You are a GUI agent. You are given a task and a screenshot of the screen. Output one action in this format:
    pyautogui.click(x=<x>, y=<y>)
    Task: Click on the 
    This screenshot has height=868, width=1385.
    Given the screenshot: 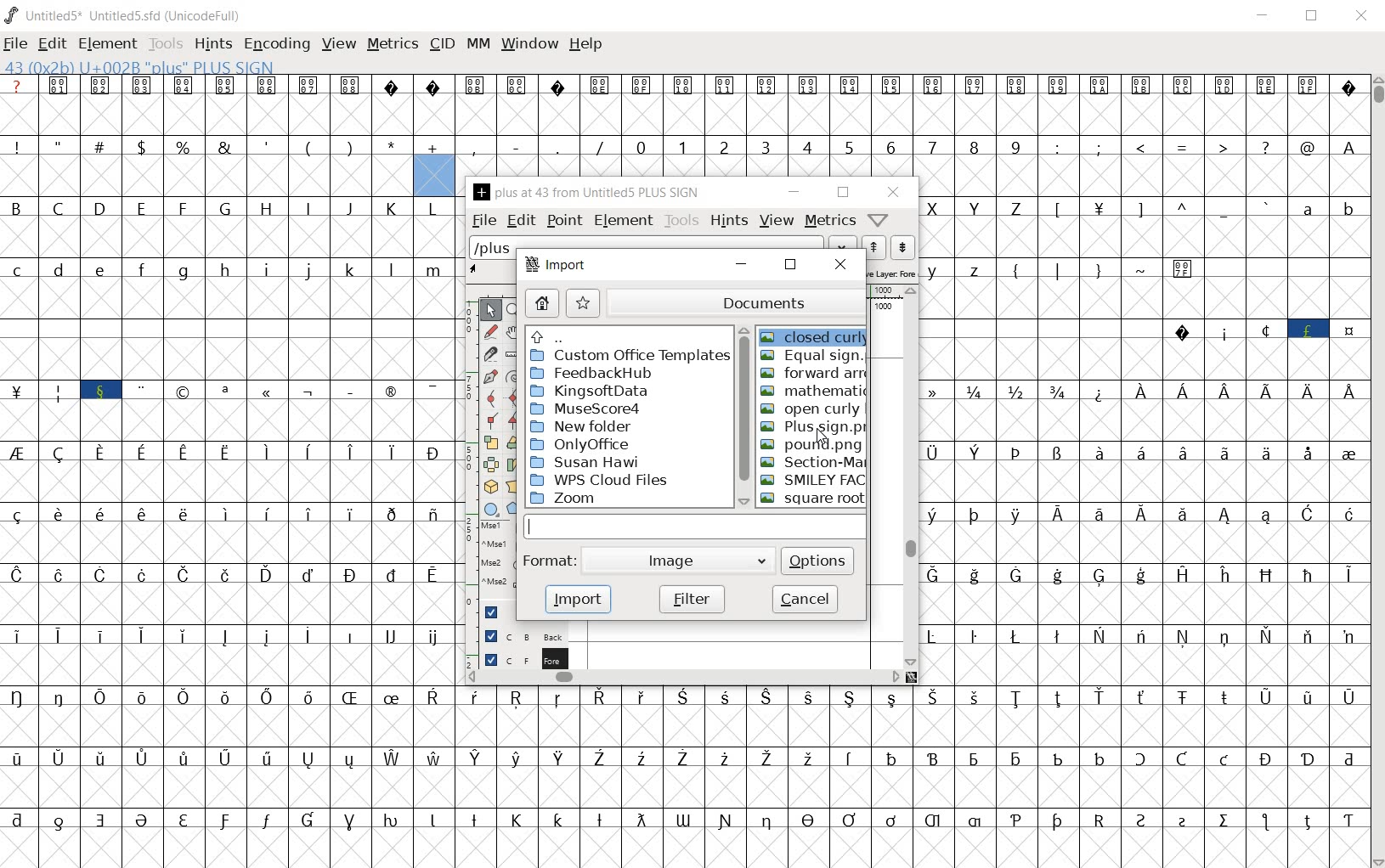 What is the action you would take?
    pyautogui.click(x=1144, y=595)
    